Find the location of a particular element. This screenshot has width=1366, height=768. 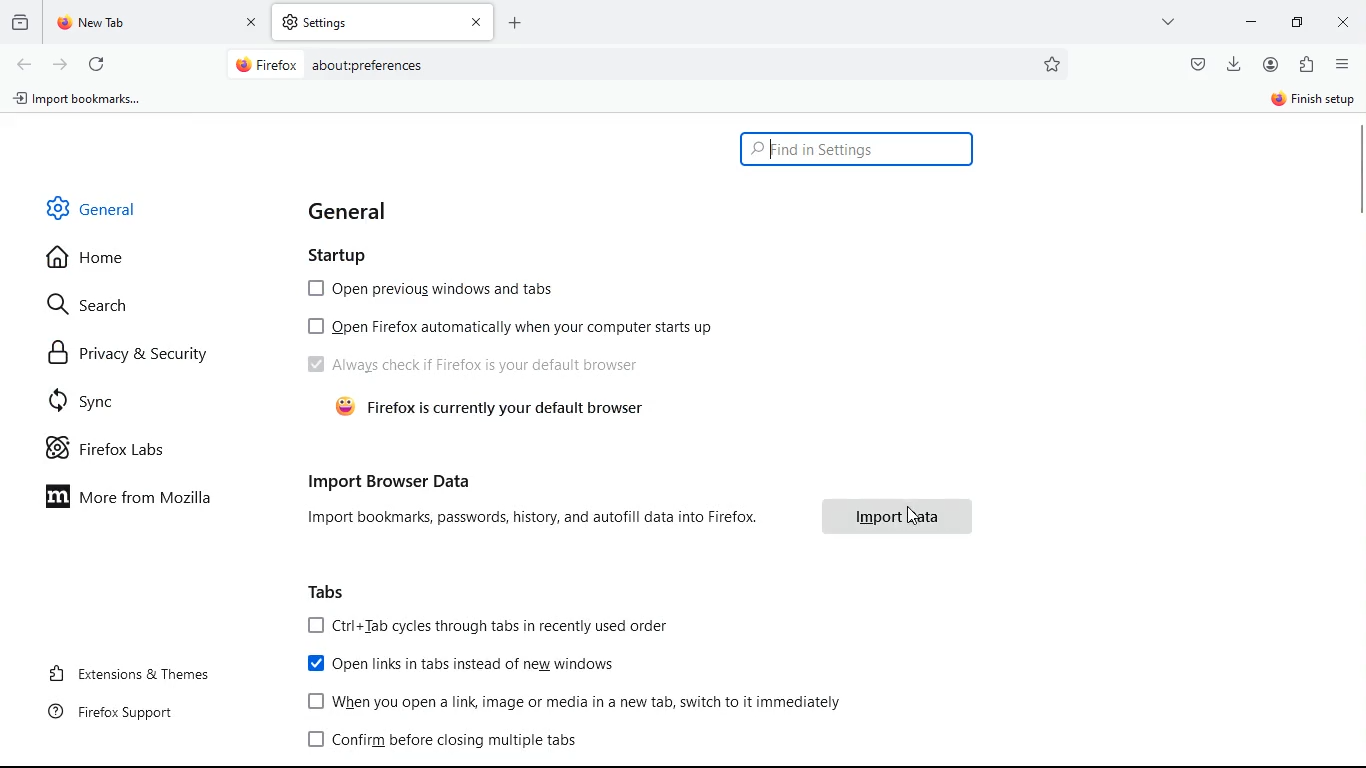

open links in tabs  instead of new windows is located at coordinates (470, 666).